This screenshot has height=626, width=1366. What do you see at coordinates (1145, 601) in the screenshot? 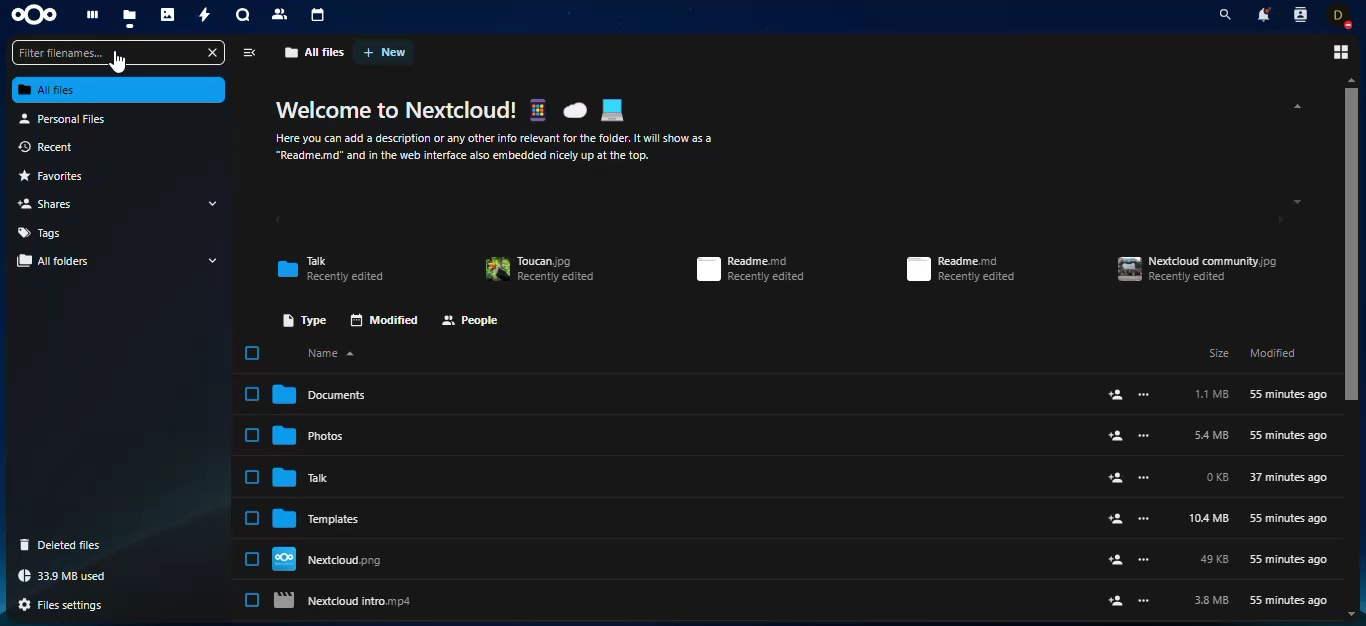
I see `more` at bounding box center [1145, 601].